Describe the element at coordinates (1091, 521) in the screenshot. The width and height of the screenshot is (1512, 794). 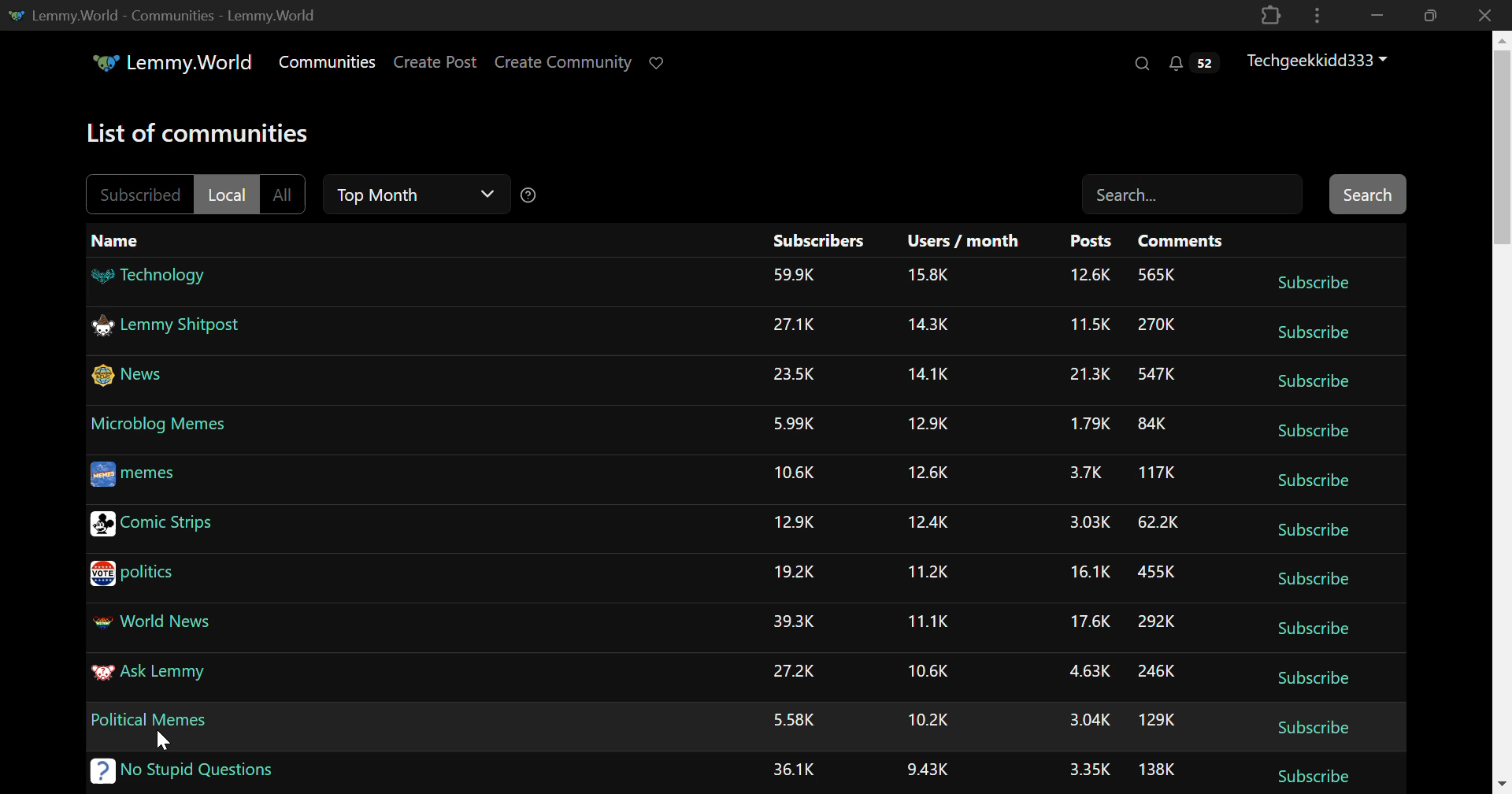
I see `Amount` at that location.